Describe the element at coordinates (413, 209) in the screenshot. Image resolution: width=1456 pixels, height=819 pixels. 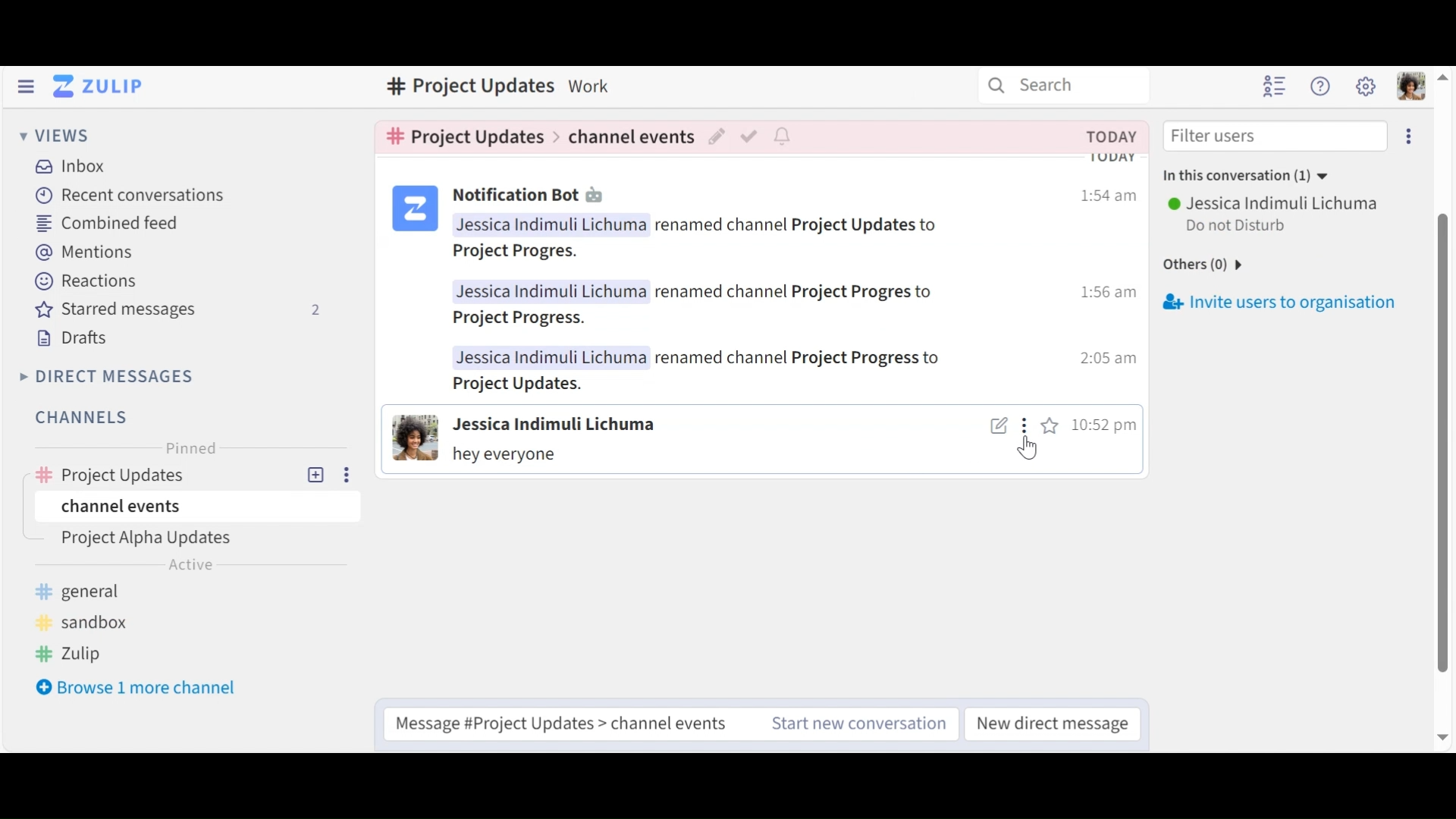
I see `user card` at that location.